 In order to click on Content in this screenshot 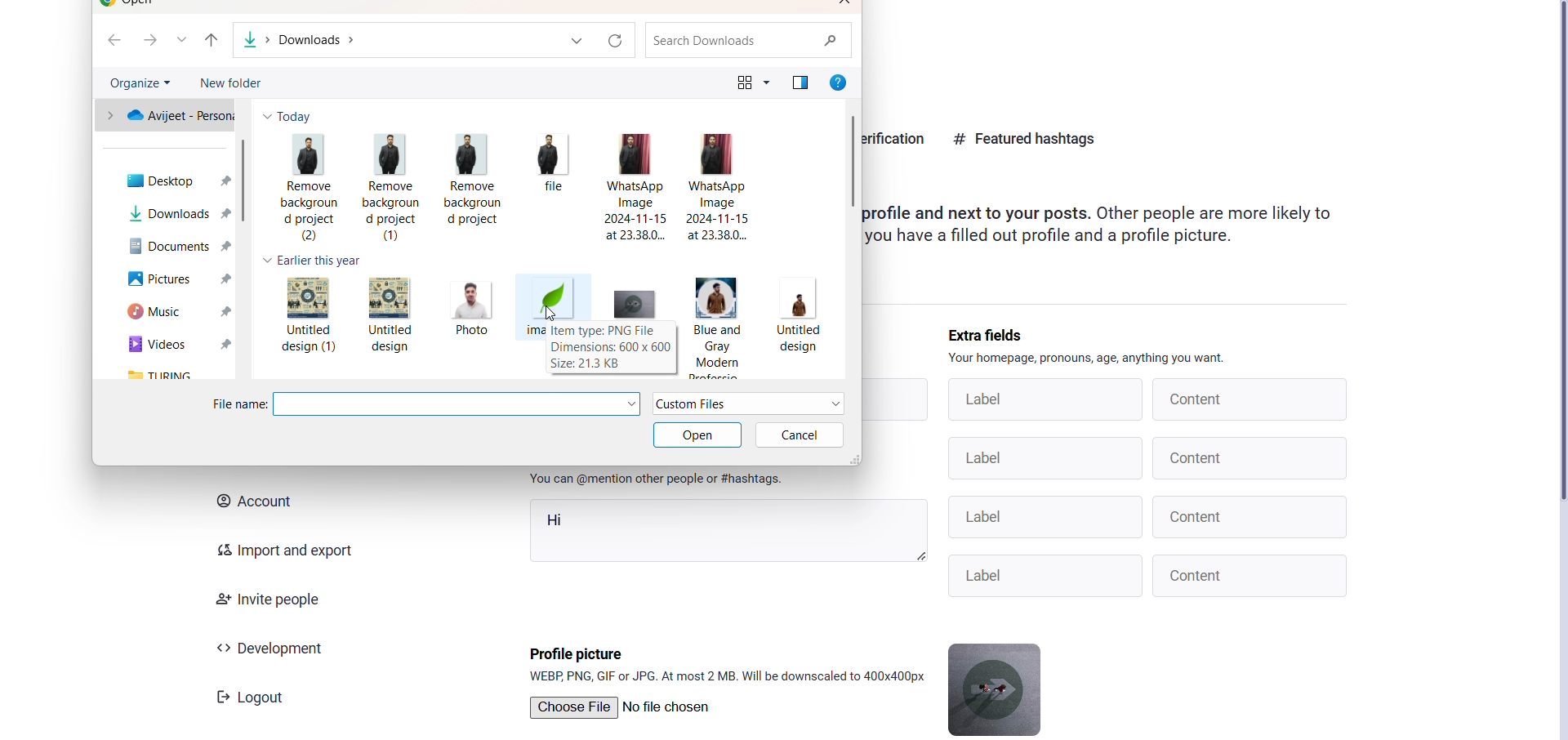, I will do `click(1251, 575)`.